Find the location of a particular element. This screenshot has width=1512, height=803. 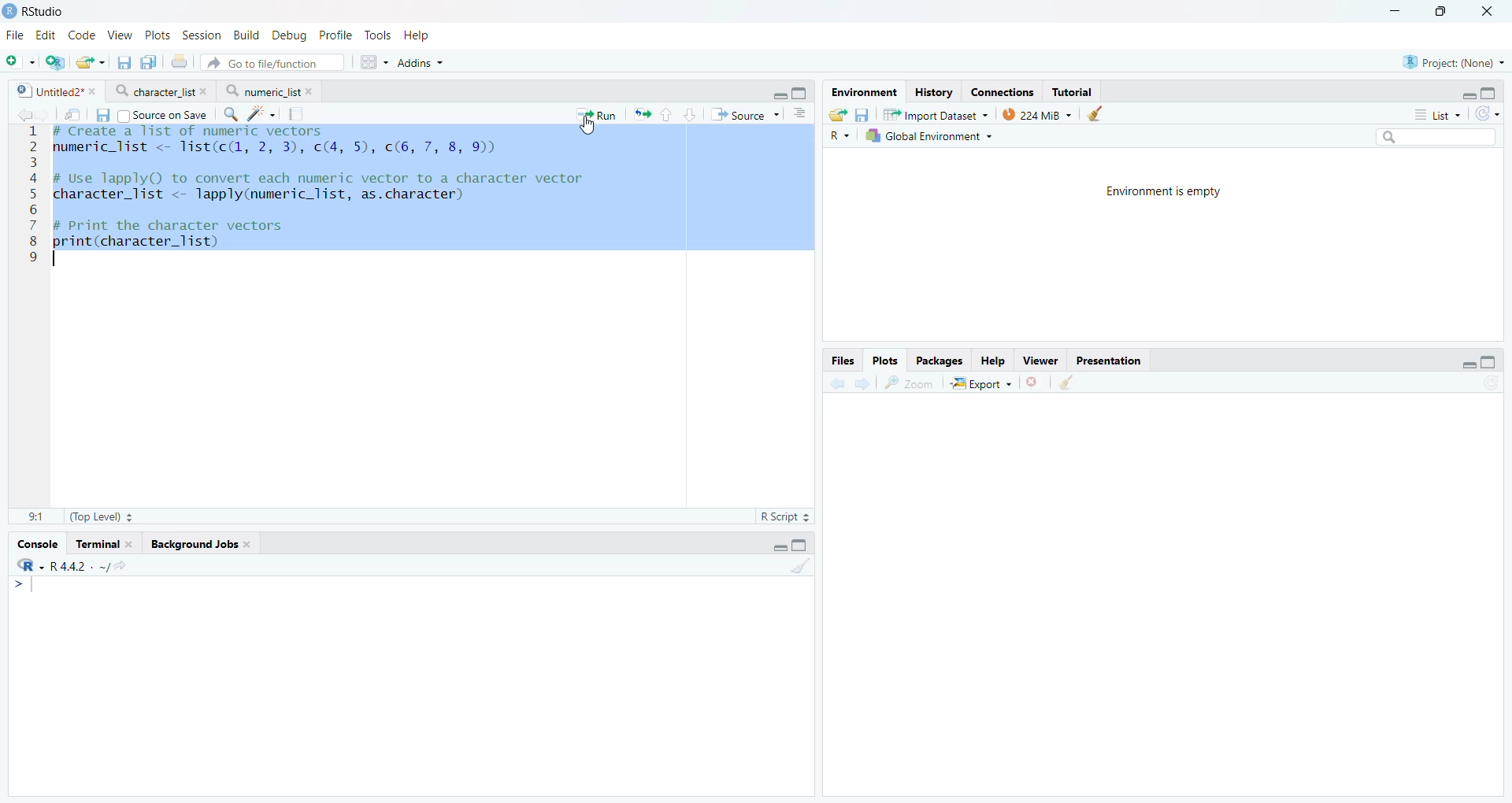

Workspace panes is located at coordinates (370, 62).